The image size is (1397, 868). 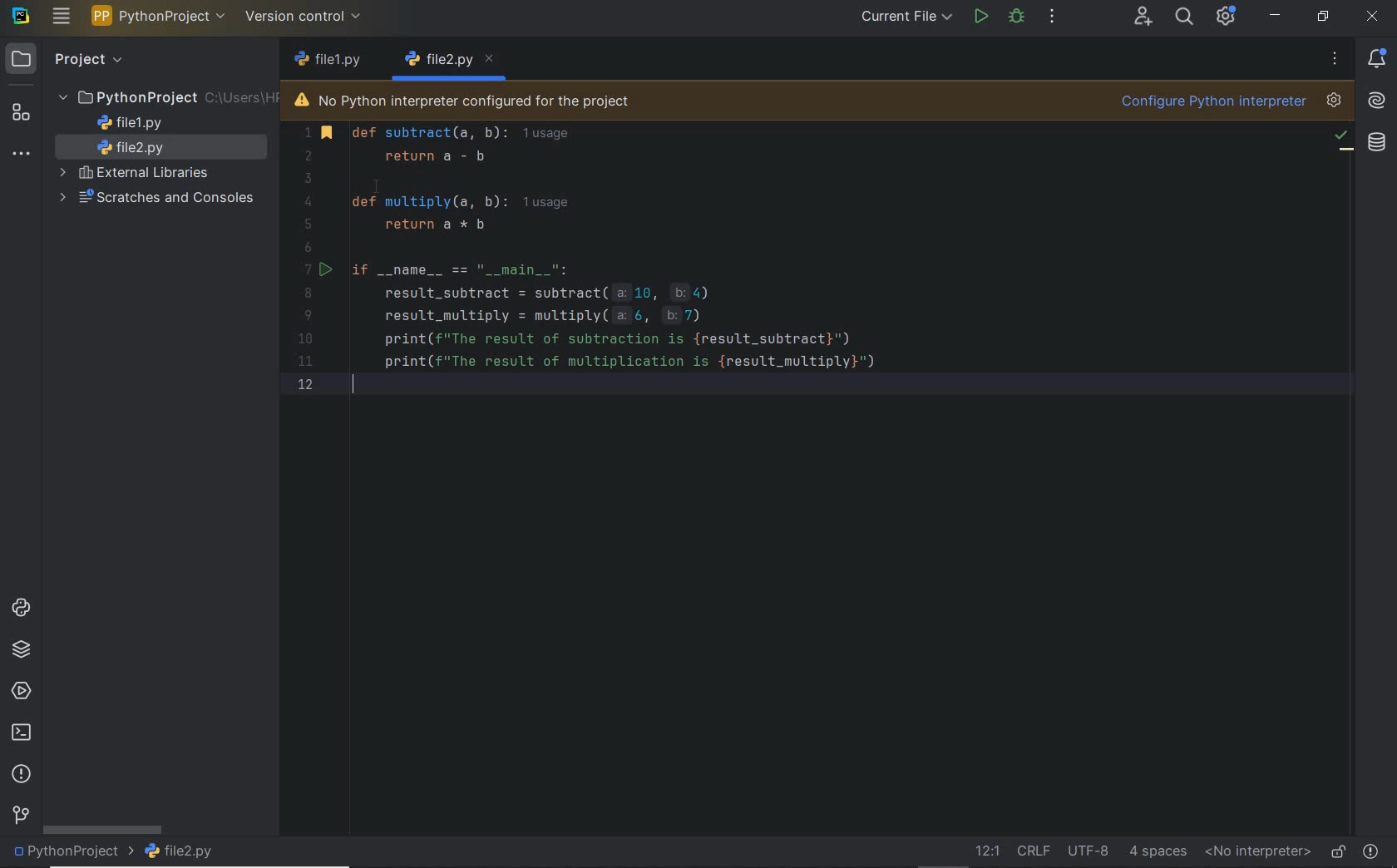 What do you see at coordinates (1227, 18) in the screenshot?
I see `ide and project settings` at bounding box center [1227, 18].